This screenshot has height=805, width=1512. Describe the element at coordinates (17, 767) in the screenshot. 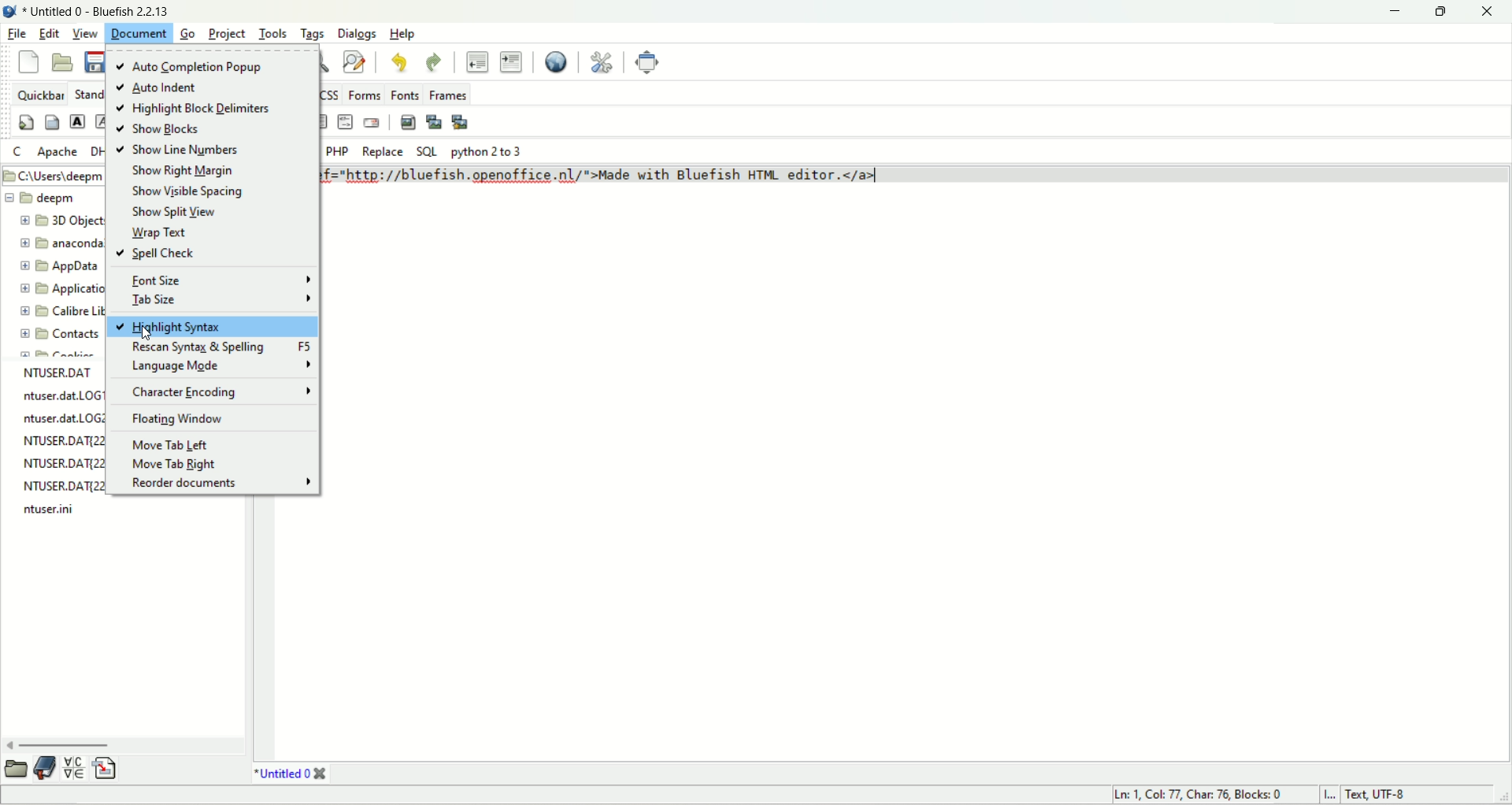

I see `open` at that location.